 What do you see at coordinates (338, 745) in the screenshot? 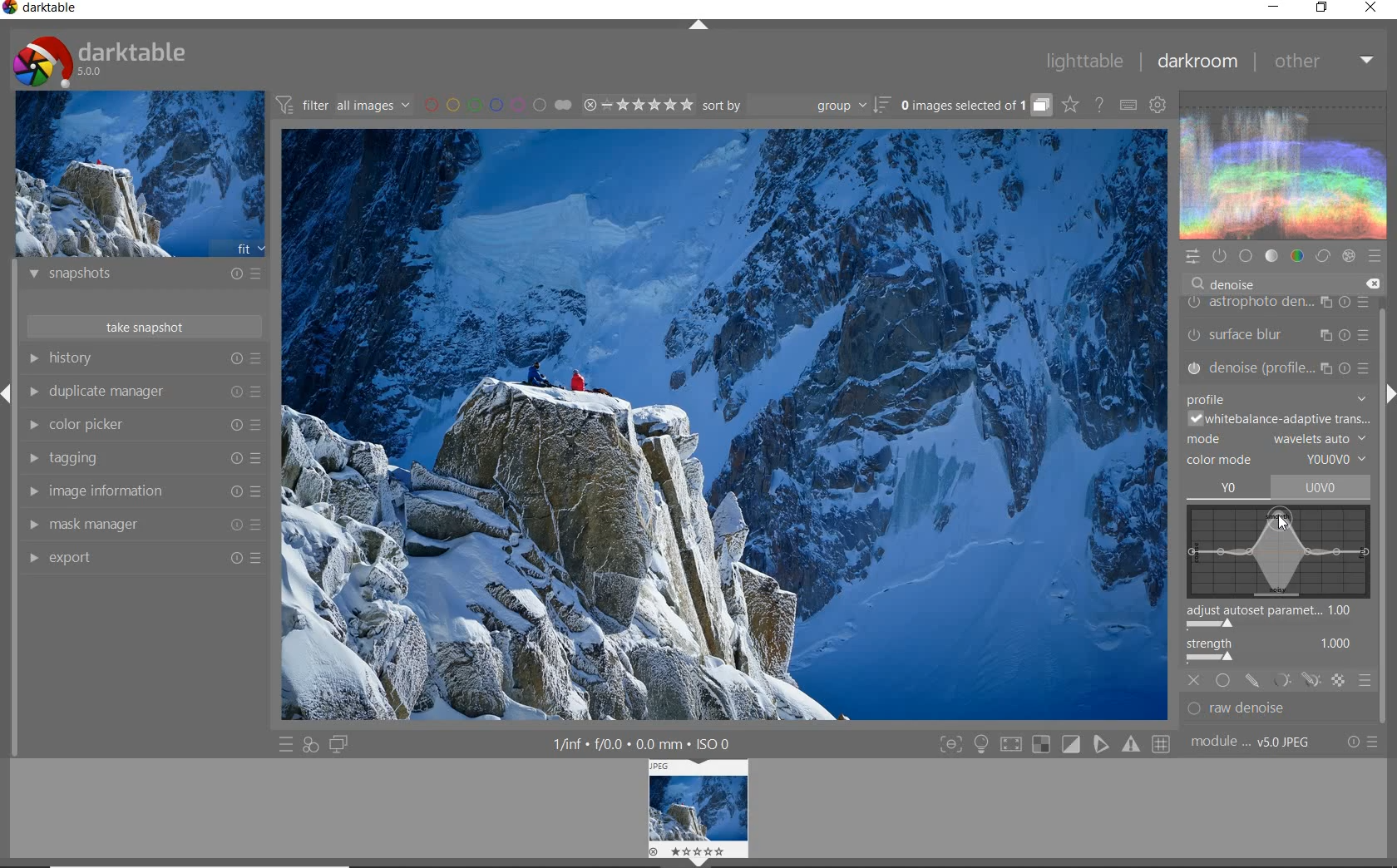
I see `display a second darkroom image window` at bounding box center [338, 745].